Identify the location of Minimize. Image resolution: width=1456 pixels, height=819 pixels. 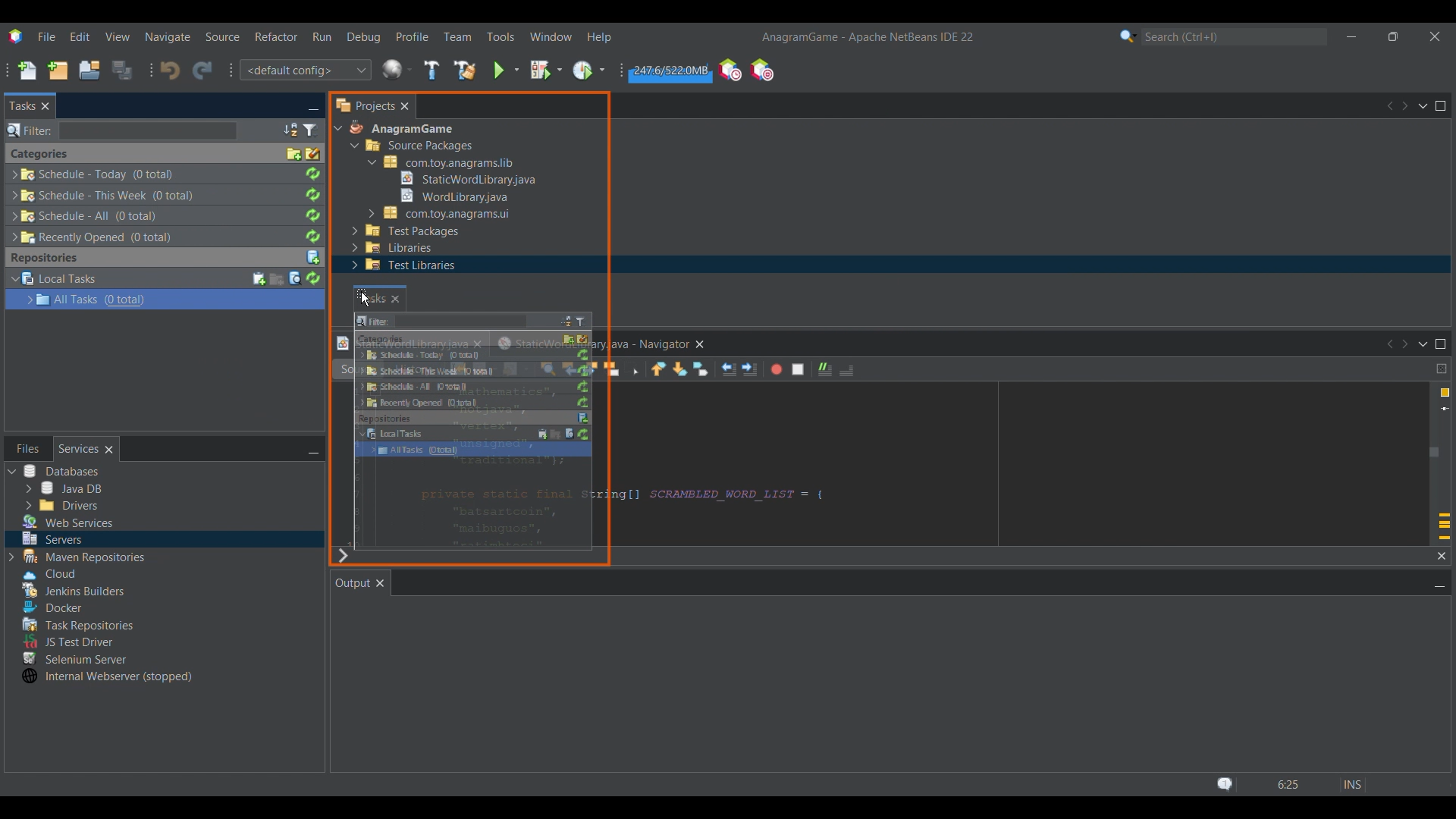
(313, 450).